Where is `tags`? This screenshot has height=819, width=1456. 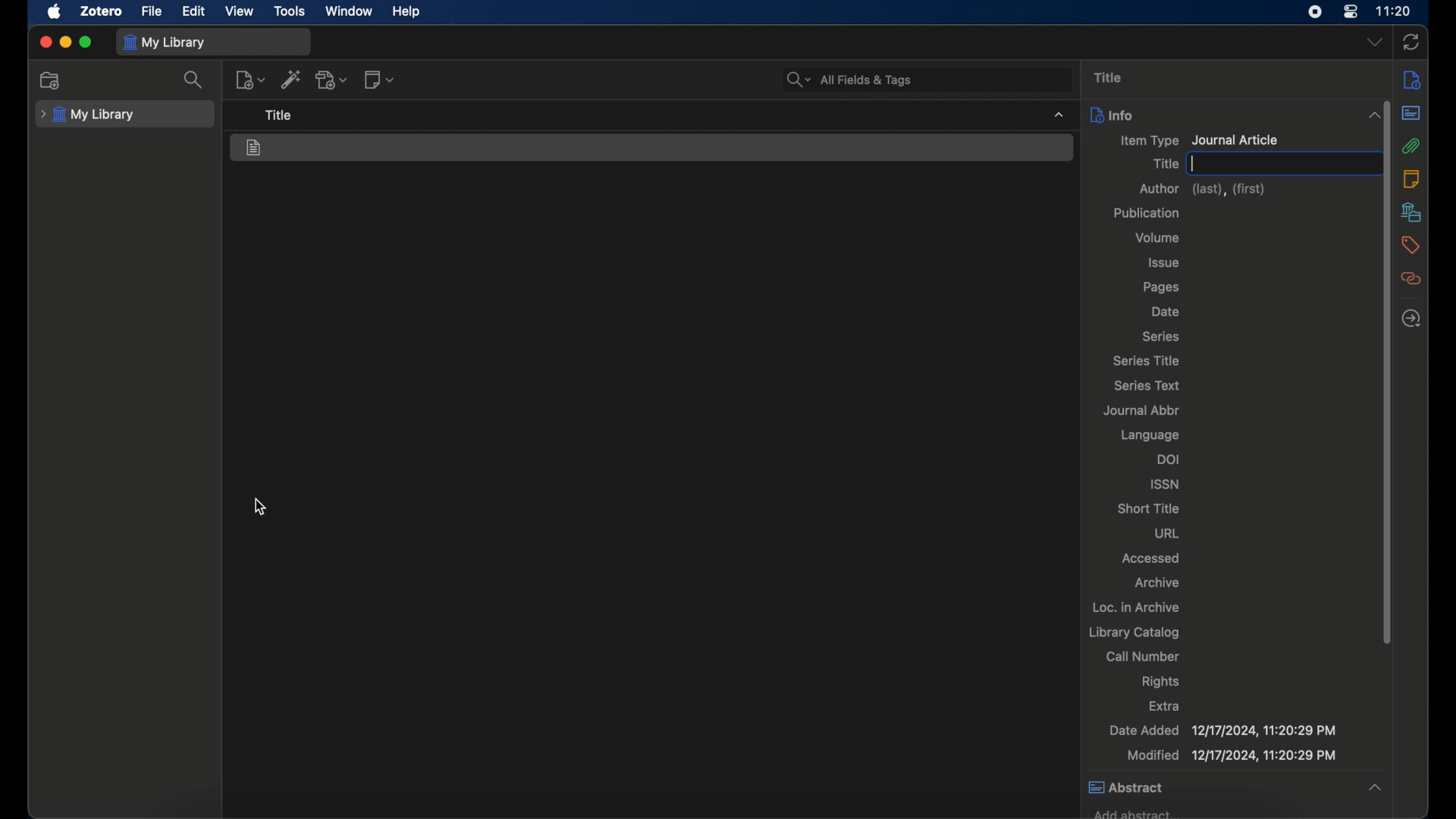 tags is located at coordinates (1409, 244).